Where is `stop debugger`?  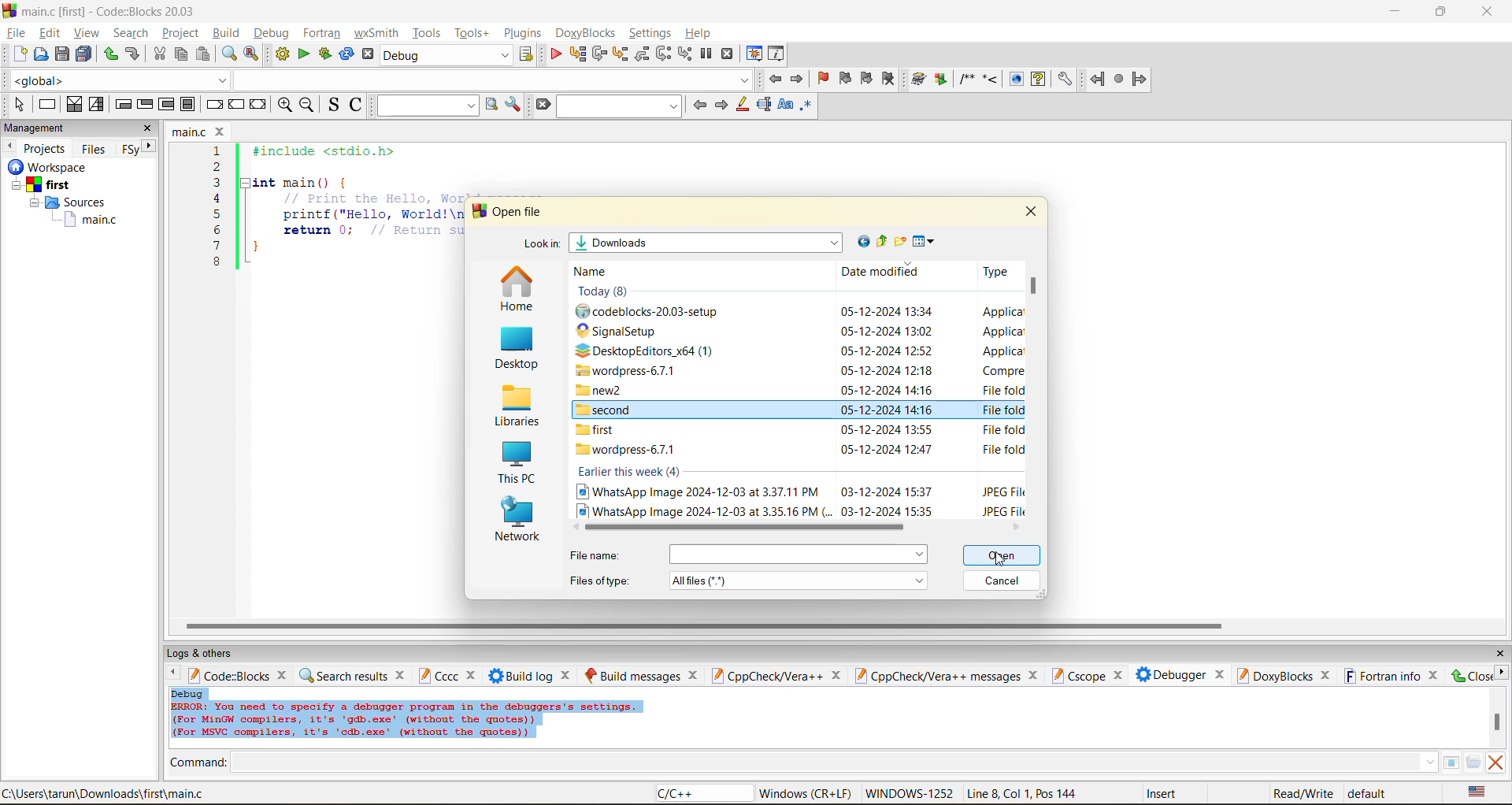
stop debugger is located at coordinates (728, 54).